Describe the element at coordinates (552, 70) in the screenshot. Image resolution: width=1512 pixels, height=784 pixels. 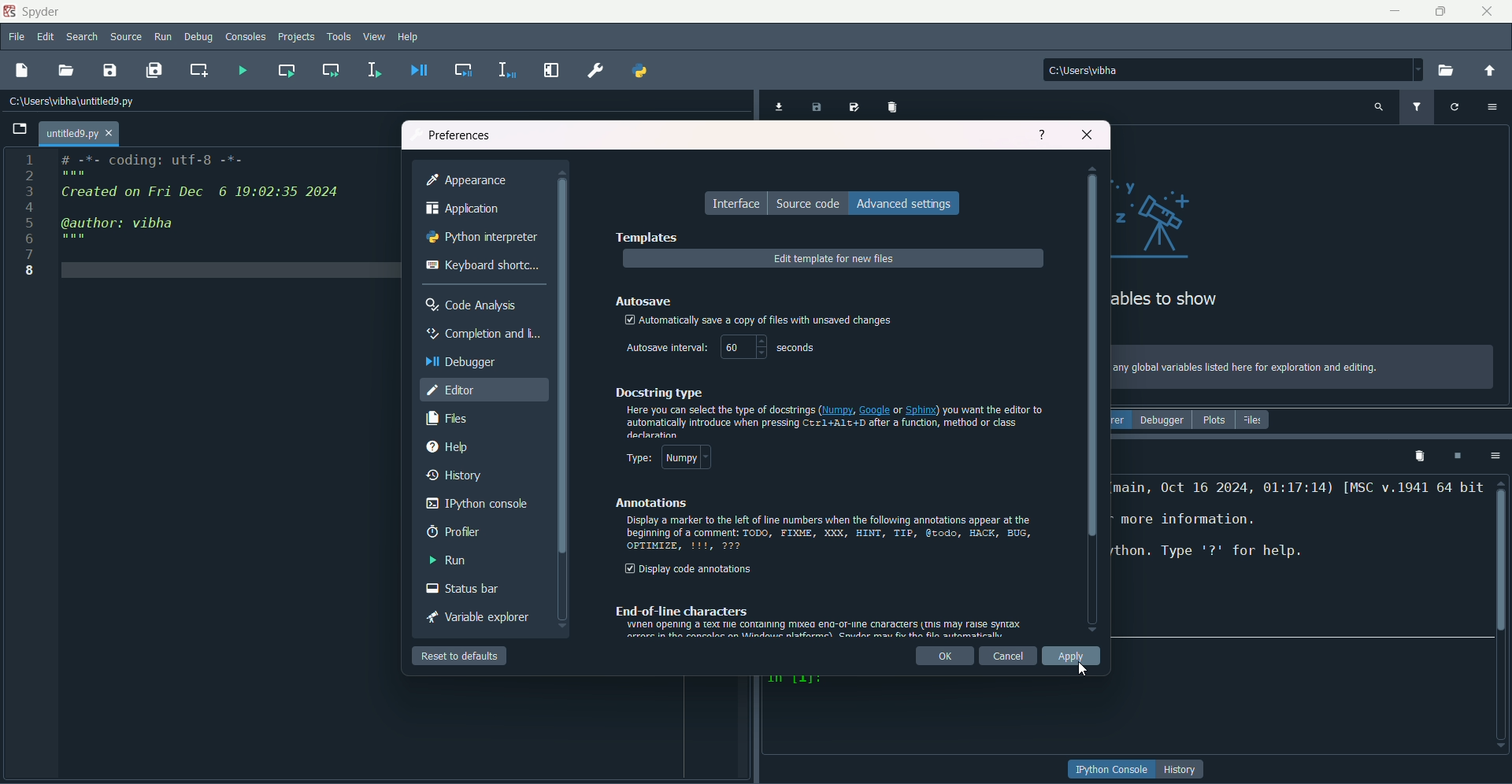
I see `maximize current pane` at that location.